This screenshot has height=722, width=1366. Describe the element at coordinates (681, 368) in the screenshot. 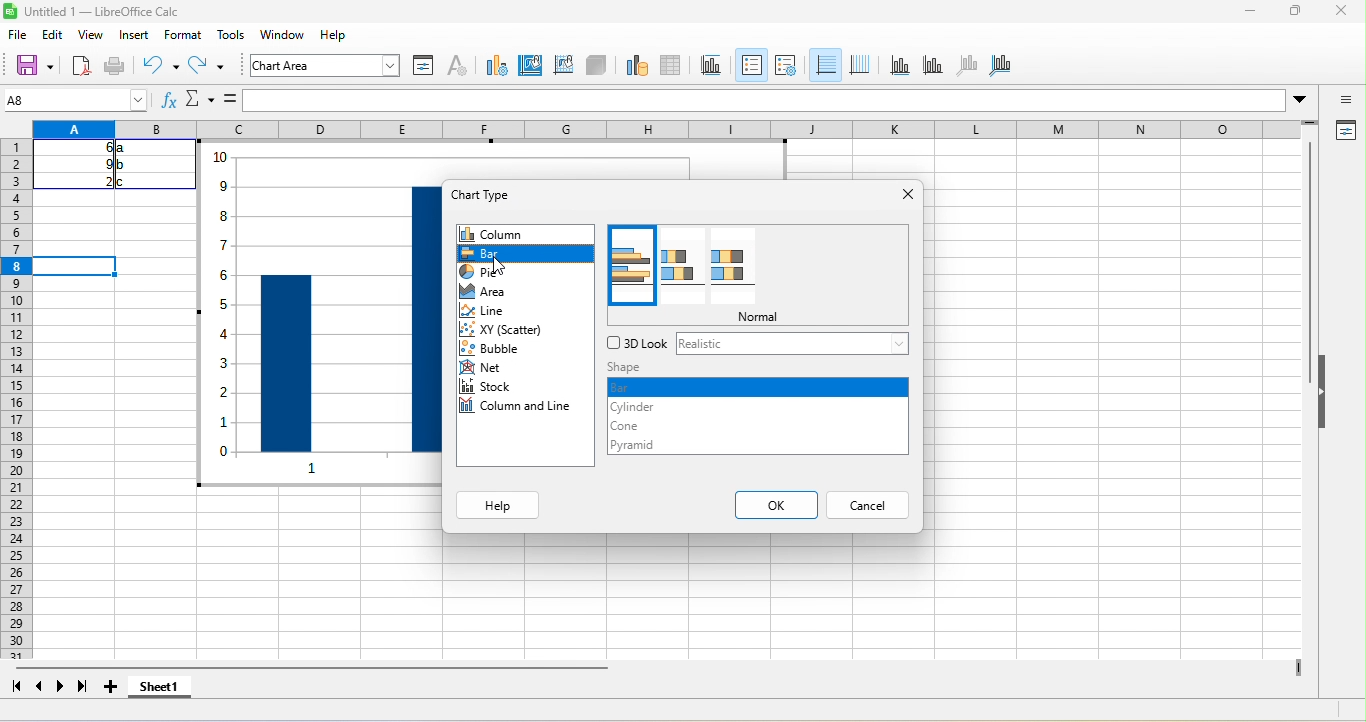

I see `shape` at that location.